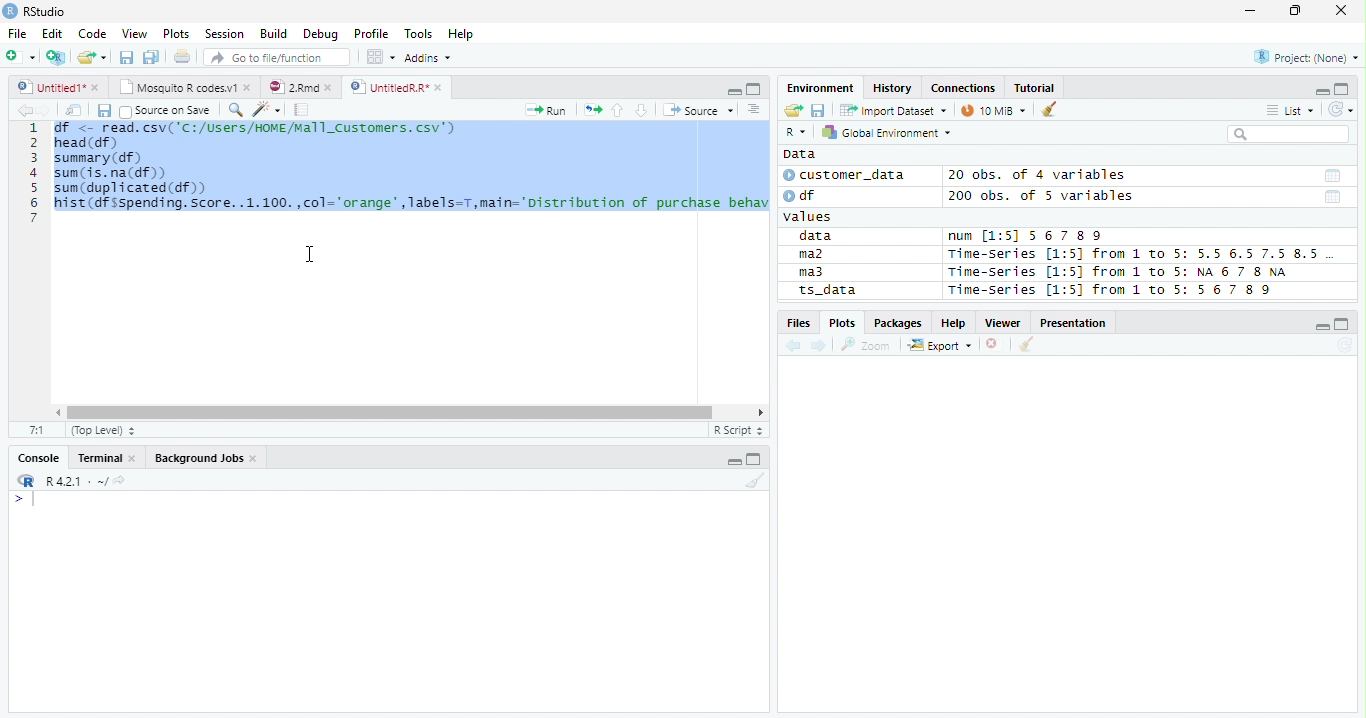 The image size is (1366, 718). Describe the element at coordinates (1333, 198) in the screenshot. I see `Date` at that location.